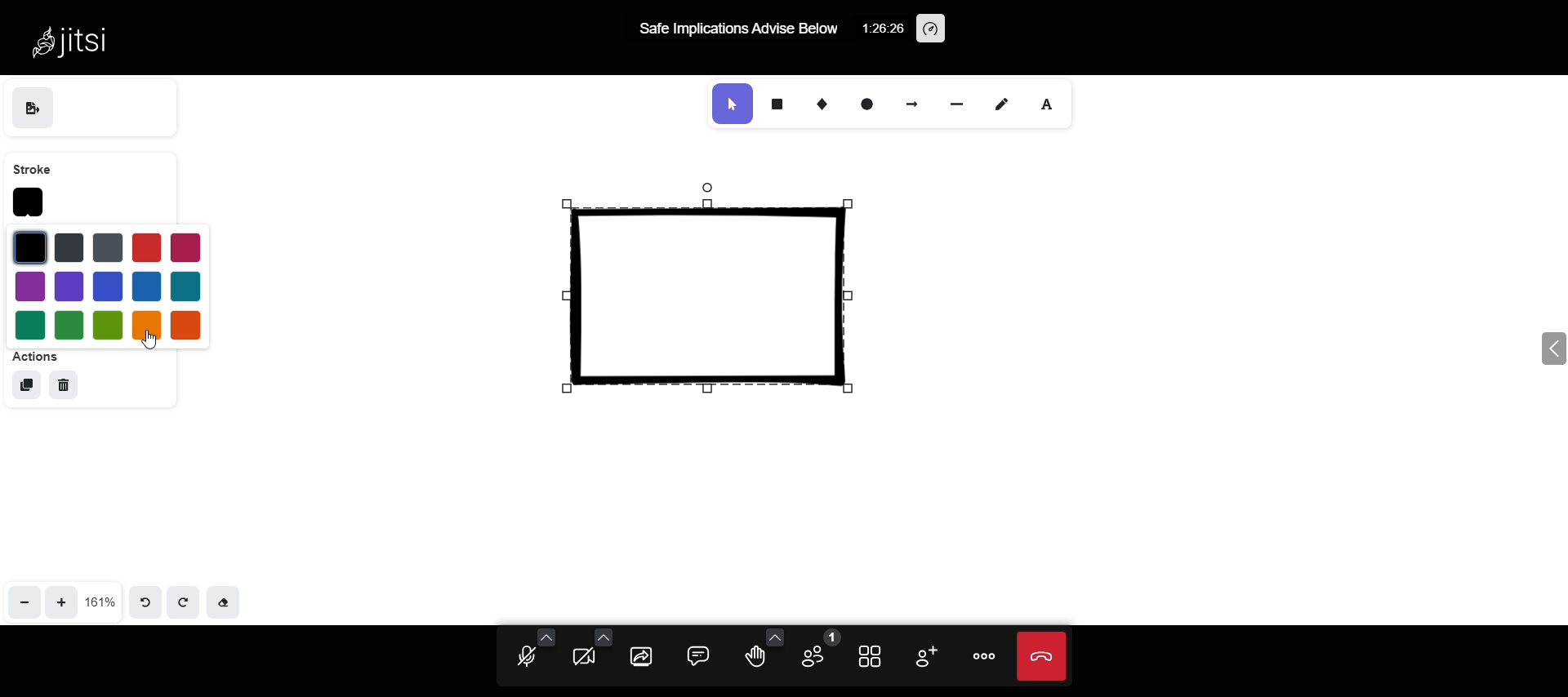 The image size is (1568, 697). Describe the element at coordinates (29, 287) in the screenshot. I see `purple` at that location.